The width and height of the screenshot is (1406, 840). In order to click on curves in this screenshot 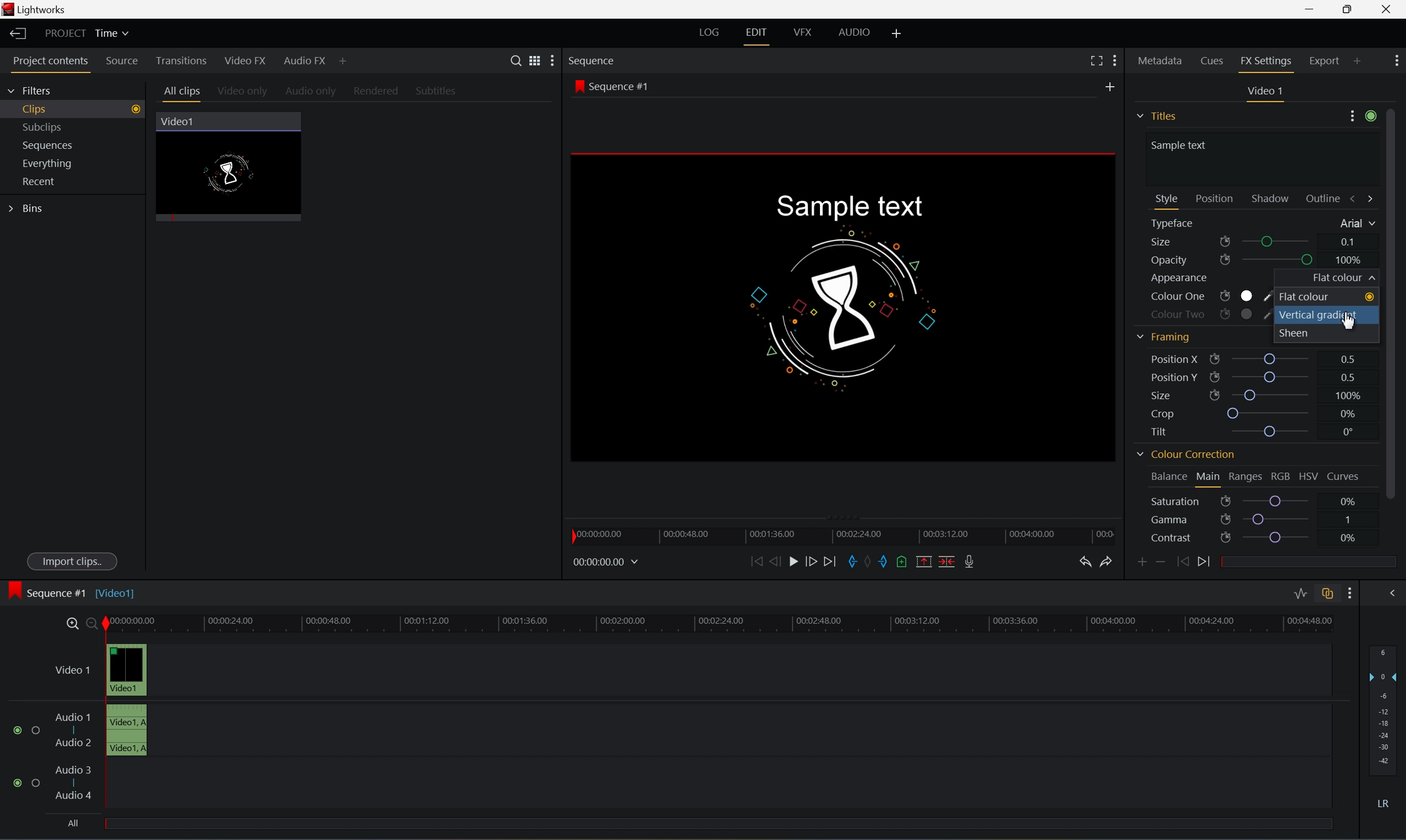, I will do `click(1344, 477)`.